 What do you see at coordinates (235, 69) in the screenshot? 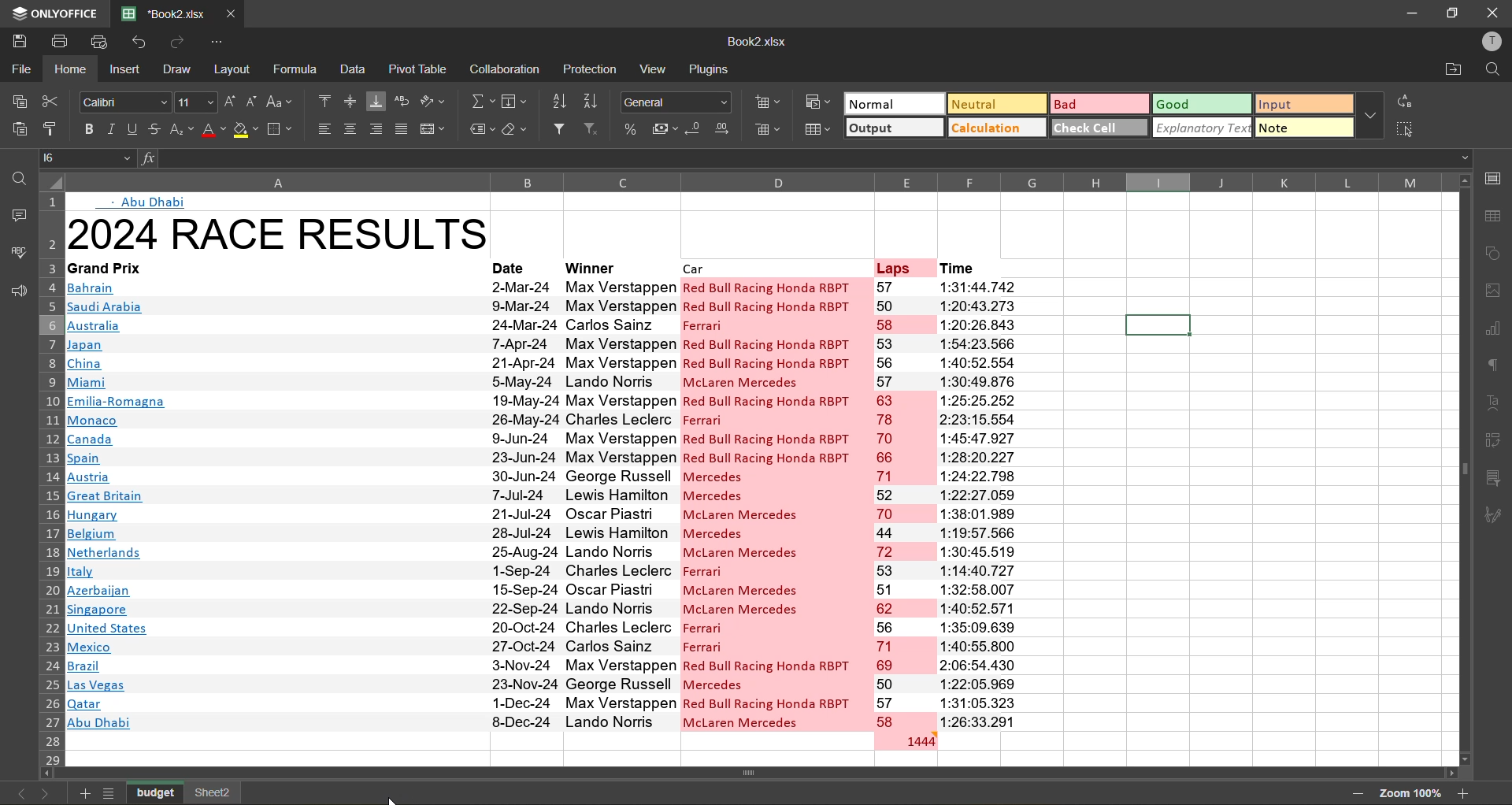
I see `layout` at bounding box center [235, 69].